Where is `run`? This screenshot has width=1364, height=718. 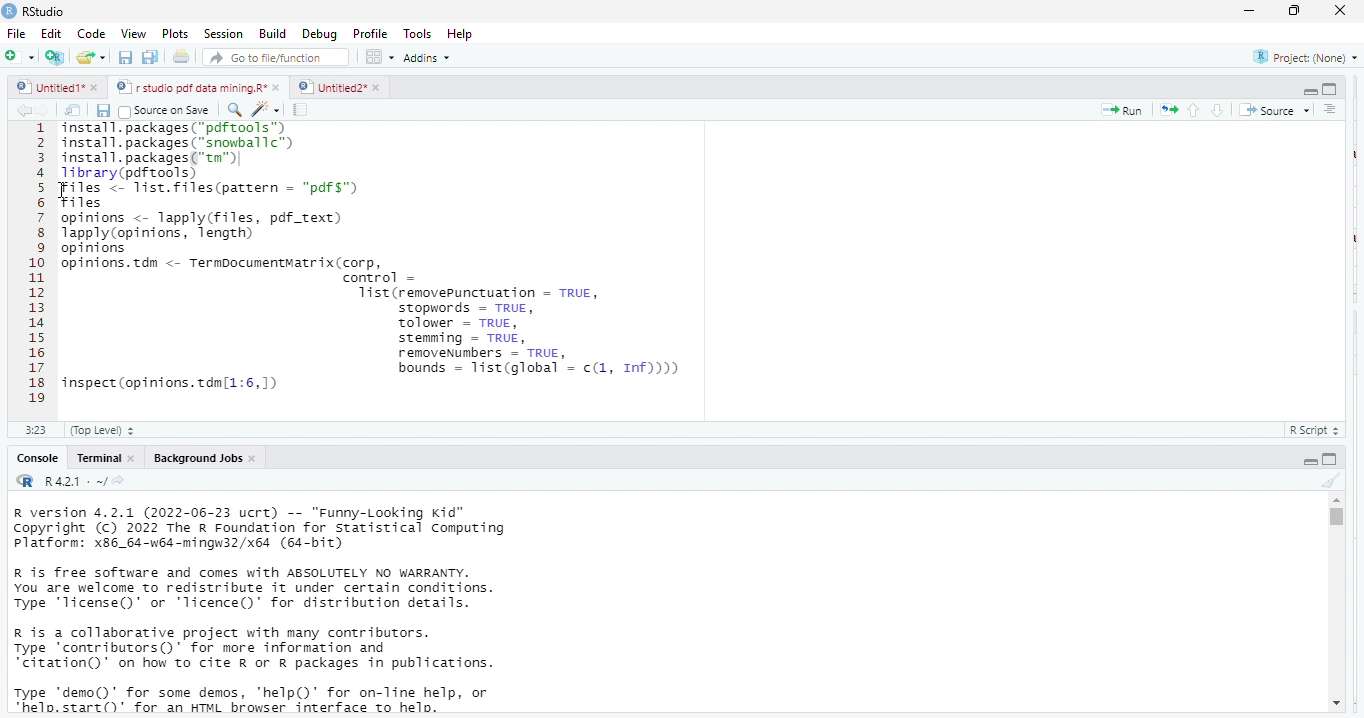 run is located at coordinates (1122, 110).